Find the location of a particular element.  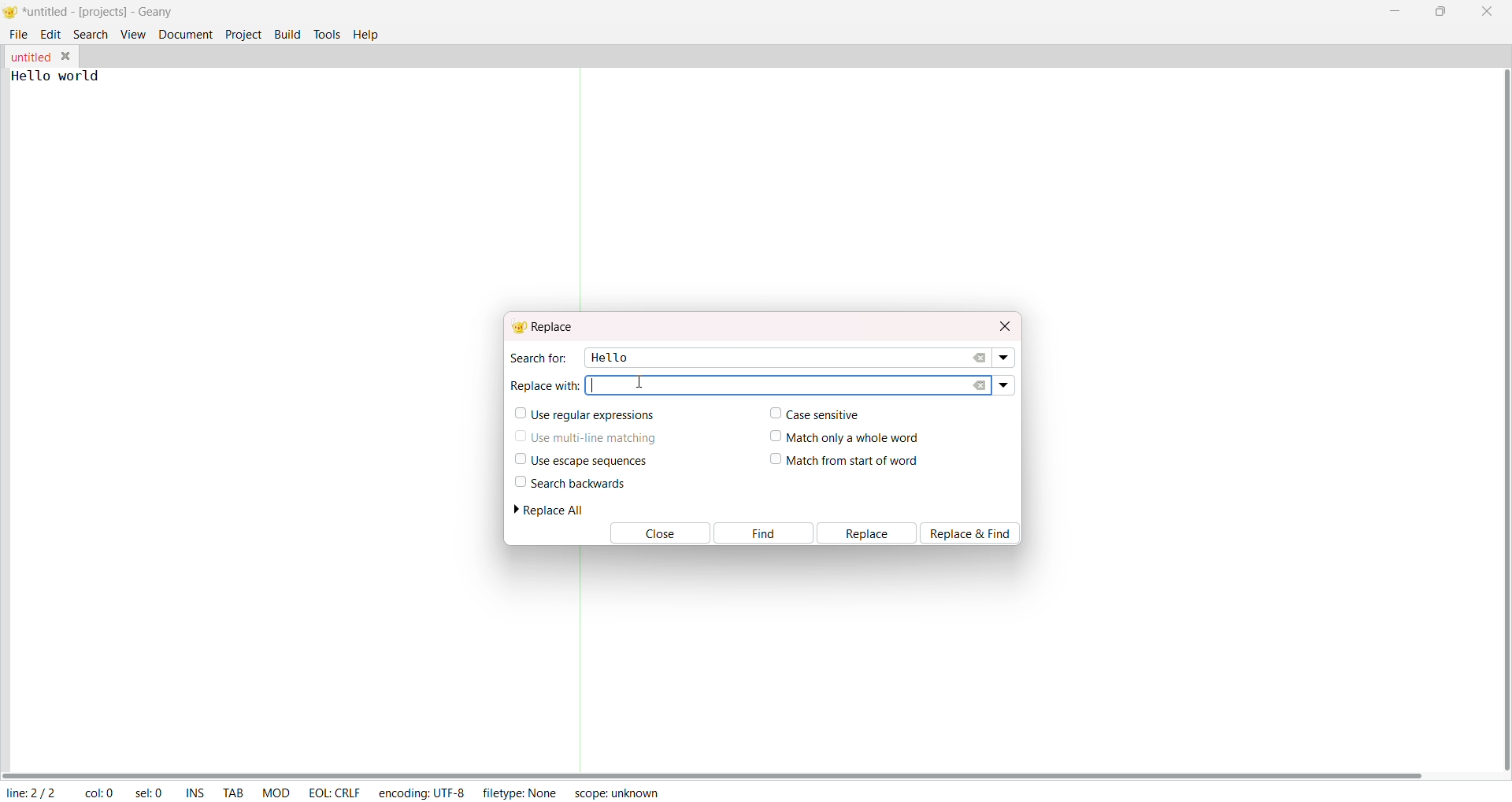

search backwards is located at coordinates (569, 483).